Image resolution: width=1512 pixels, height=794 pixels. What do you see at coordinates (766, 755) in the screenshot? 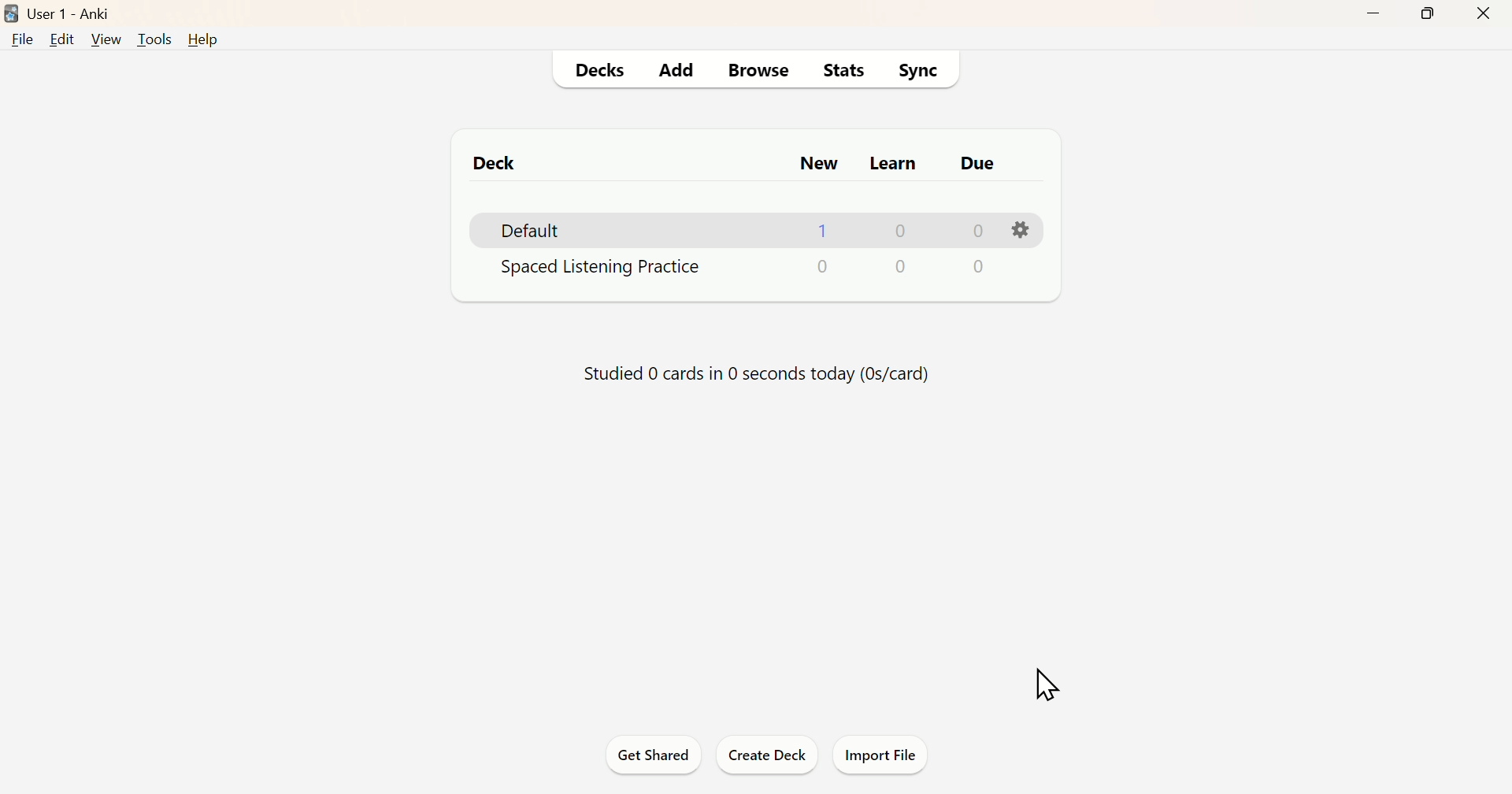
I see `Create Deck` at bounding box center [766, 755].